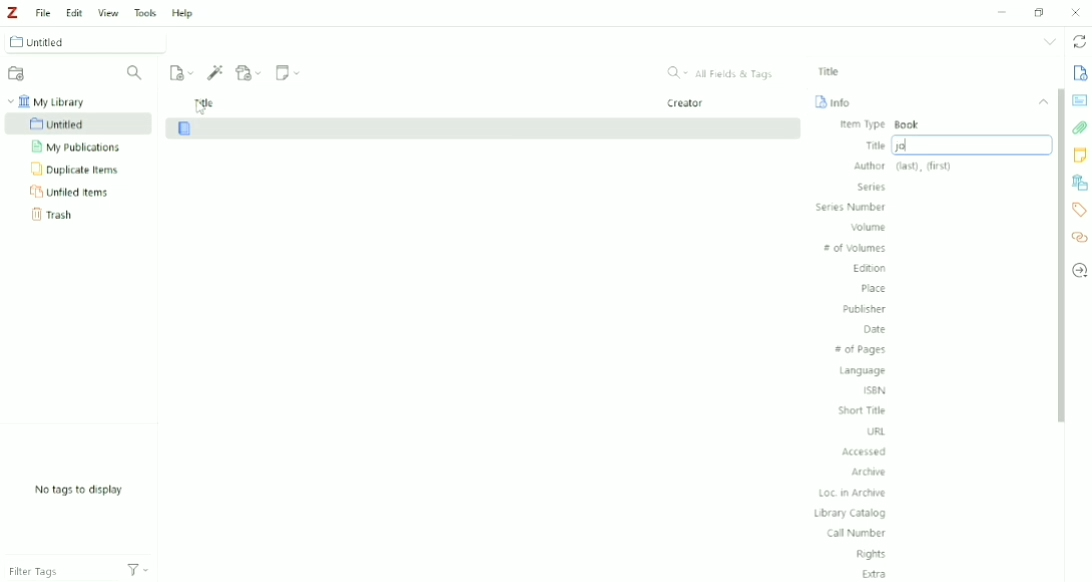  Describe the element at coordinates (875, 573) in the screenshot. I see `Extra` at that location.